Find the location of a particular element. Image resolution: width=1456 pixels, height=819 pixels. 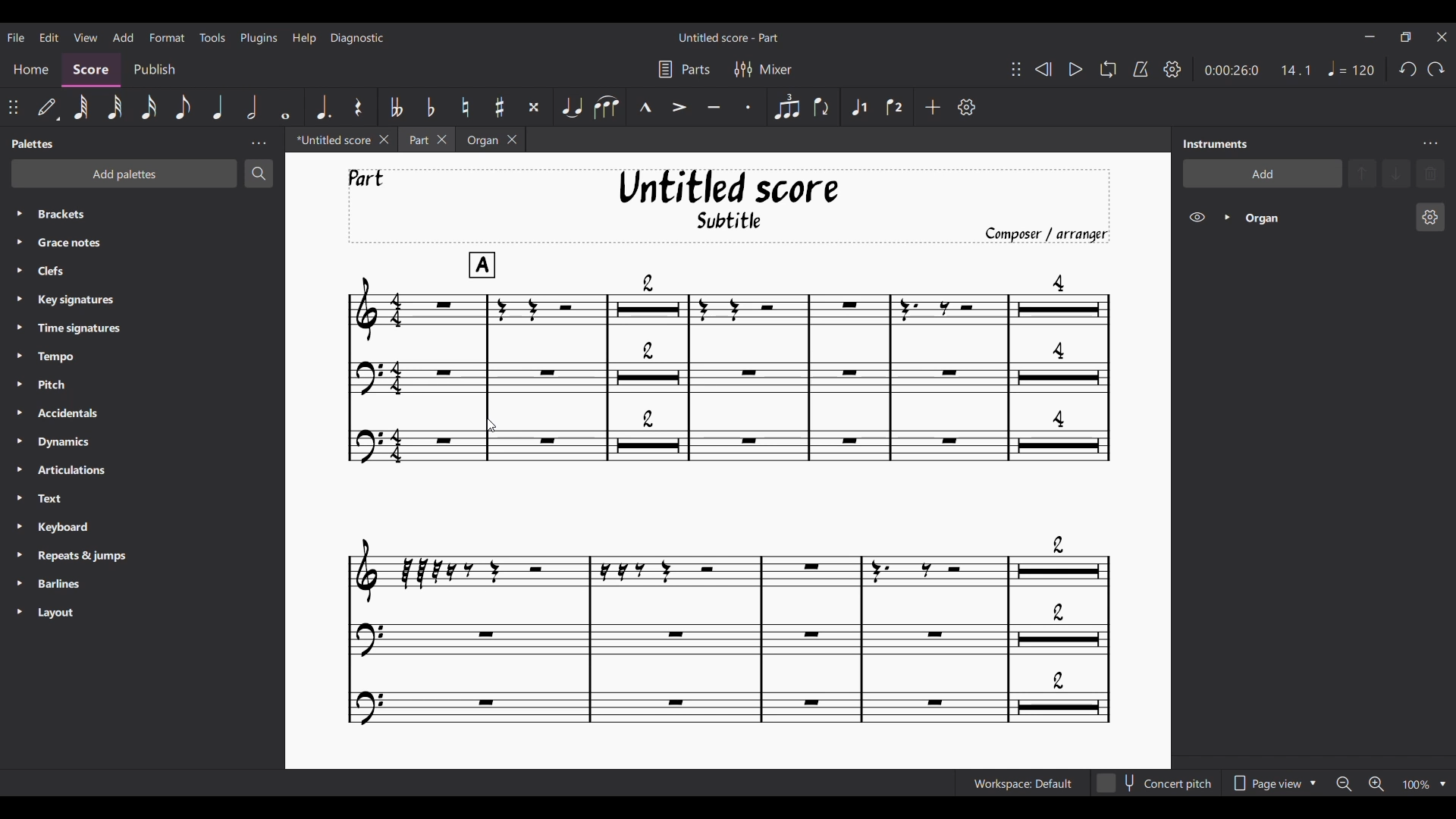

Toggle flat is located at coordinates (430, 106).